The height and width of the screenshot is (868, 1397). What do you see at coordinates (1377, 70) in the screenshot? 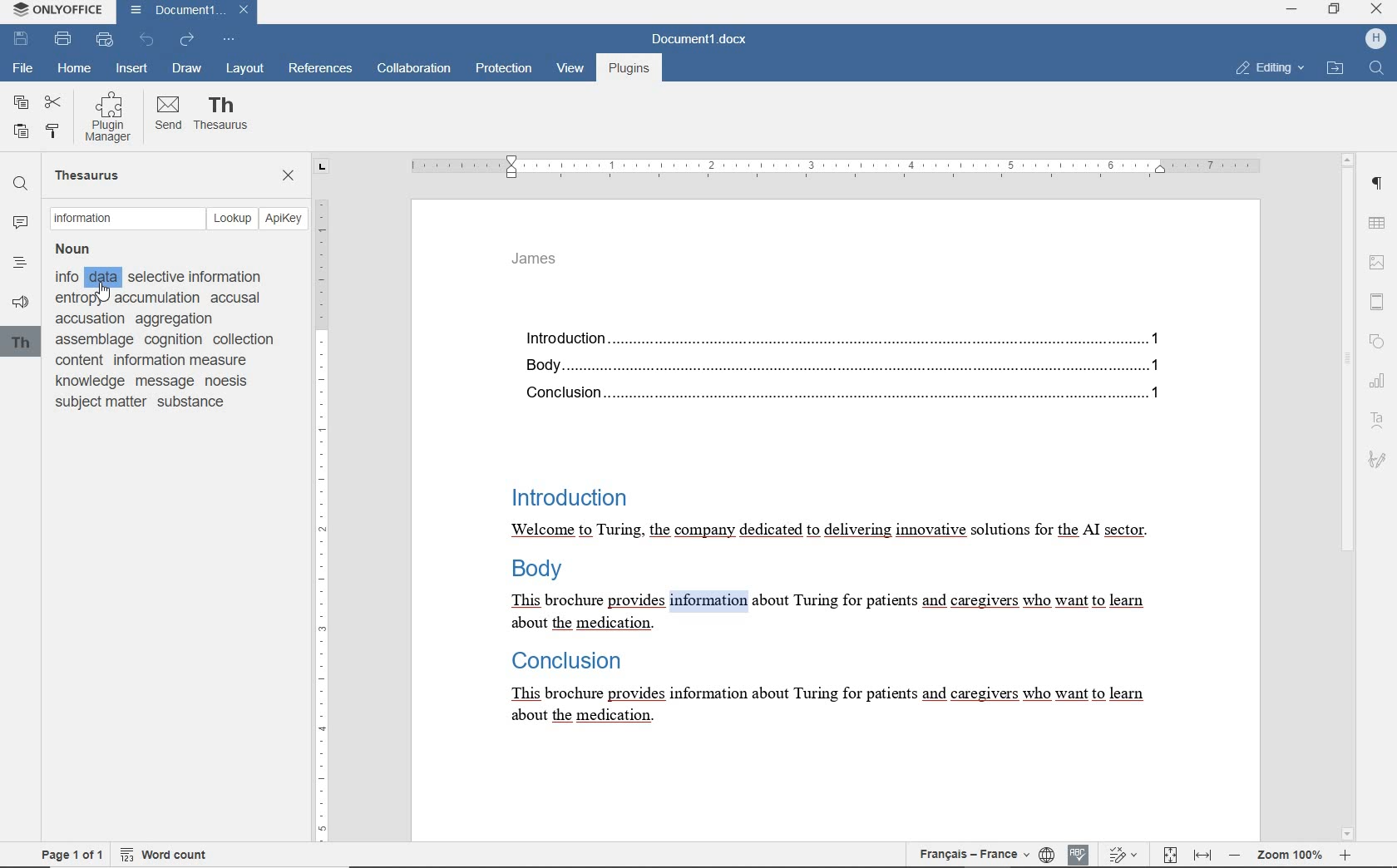
I see `FIND` at bounding box center [1377, 70].